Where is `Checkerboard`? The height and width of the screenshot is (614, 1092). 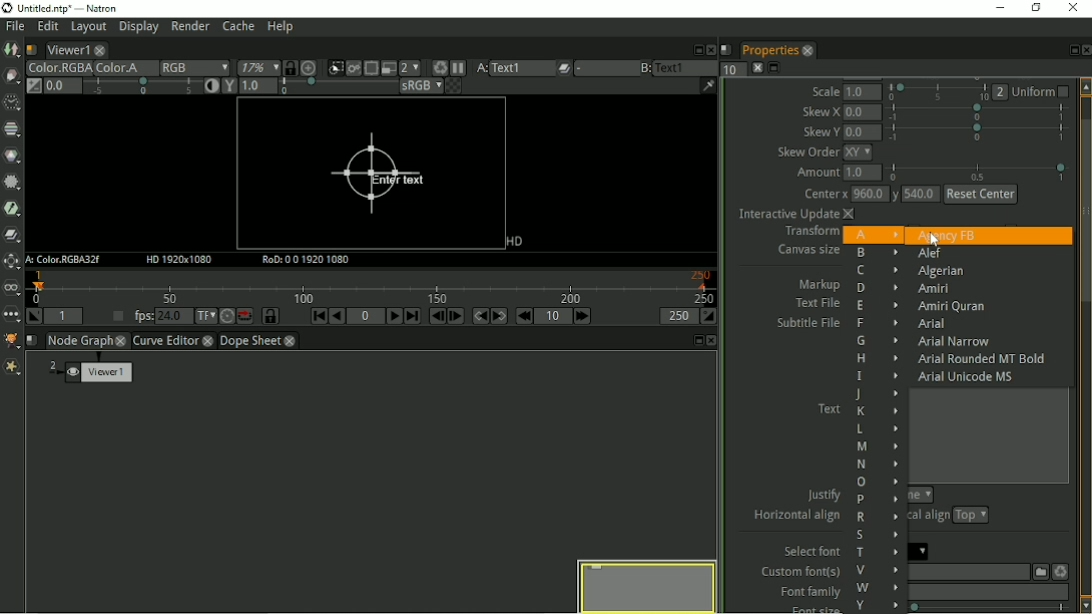
Checkerboard is located at coordinates (455, 87).